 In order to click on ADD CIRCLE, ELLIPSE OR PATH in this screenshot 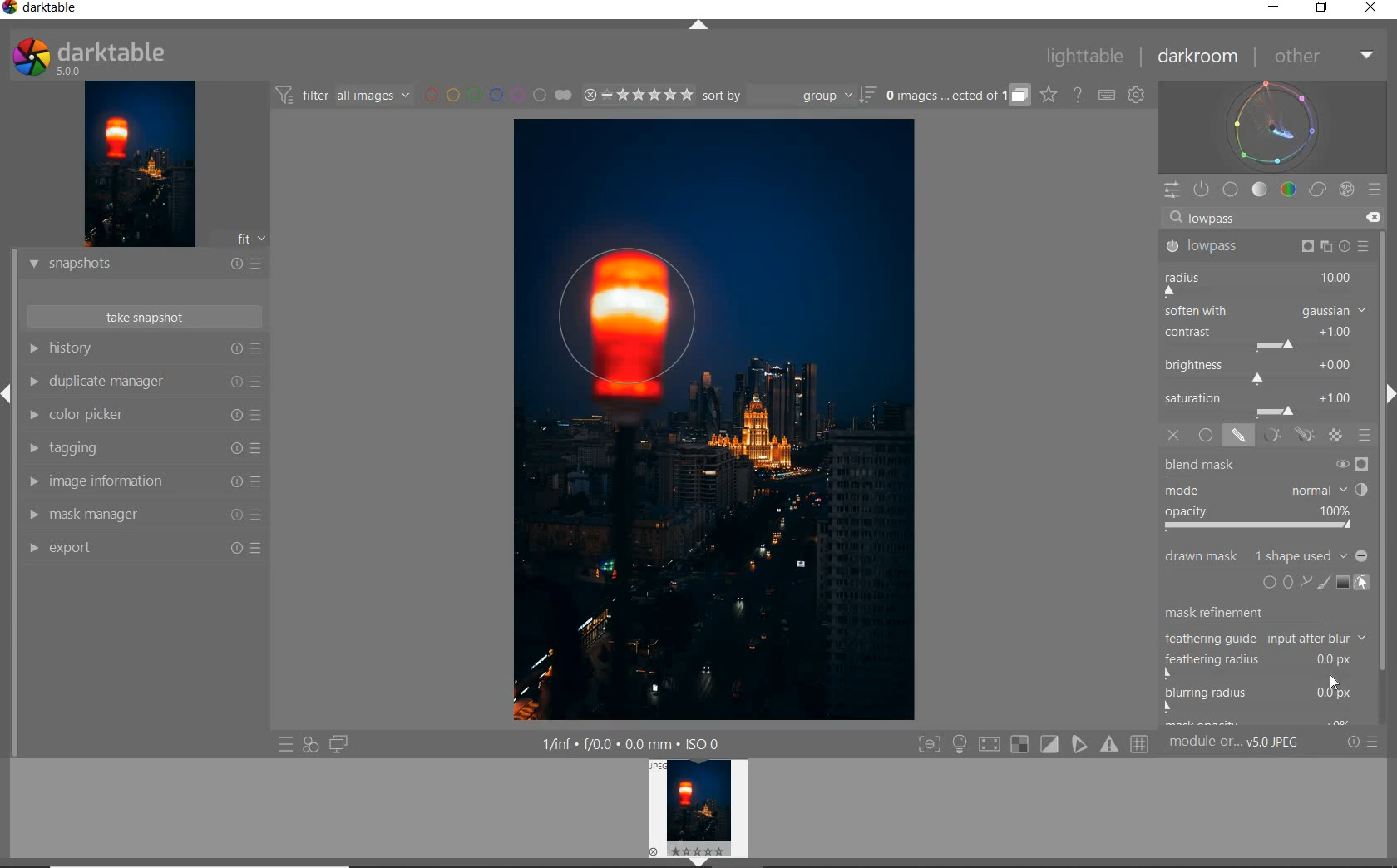, I will do `click(1284, 581)`.